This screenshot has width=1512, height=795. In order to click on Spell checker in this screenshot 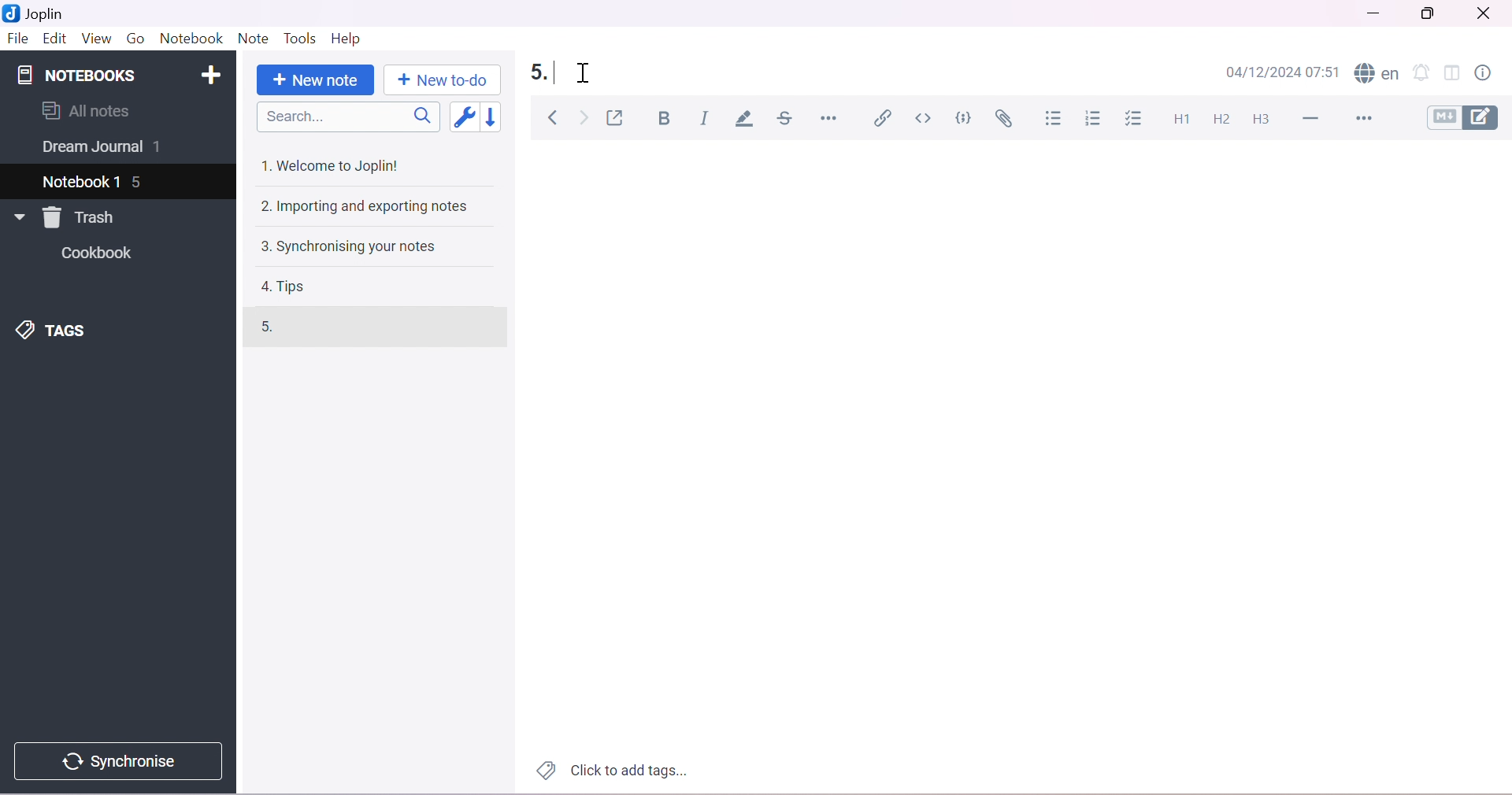, I will do `click(1378, 74)`.